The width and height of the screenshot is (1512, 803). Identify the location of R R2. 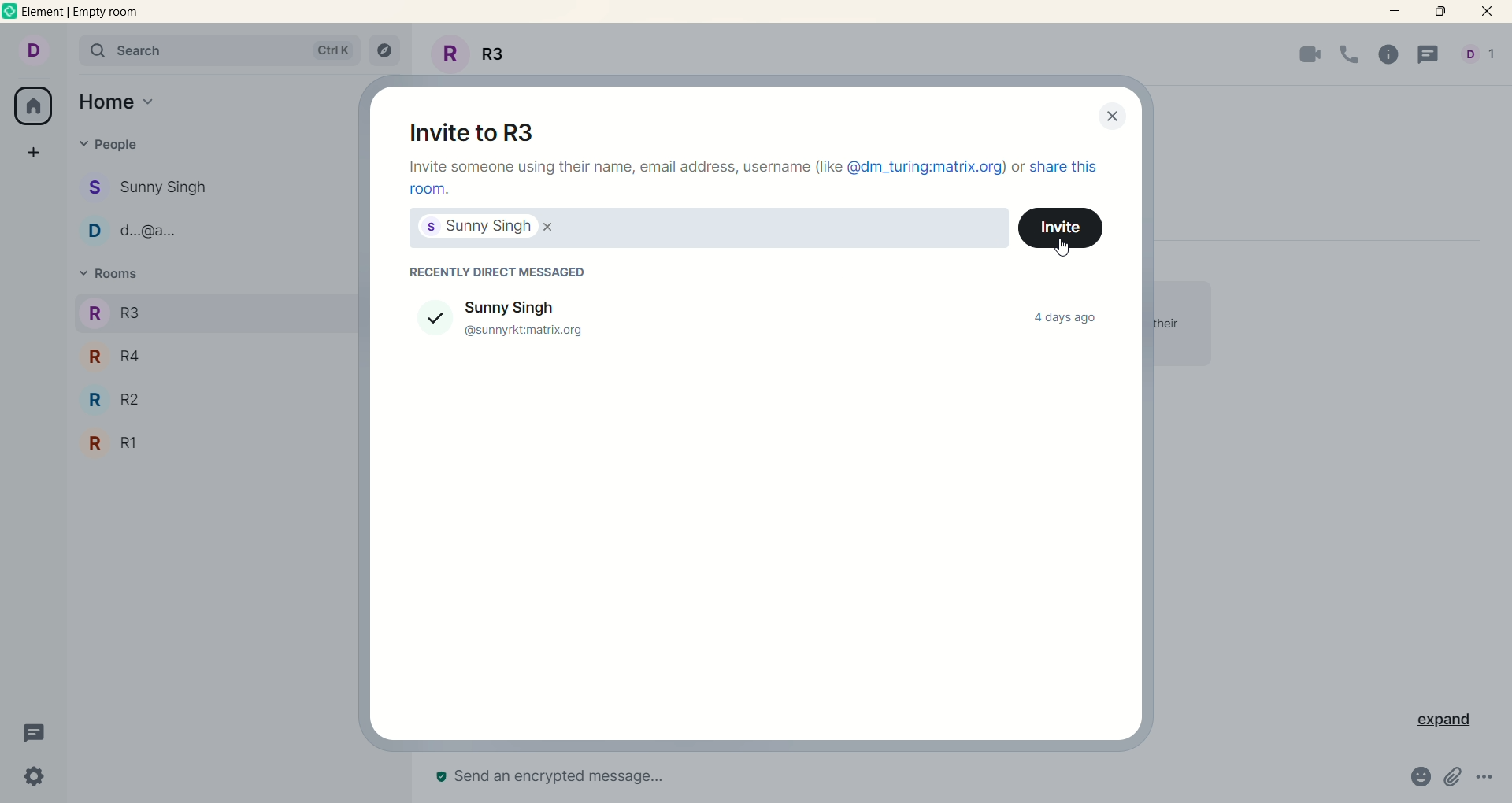
(114, 401).